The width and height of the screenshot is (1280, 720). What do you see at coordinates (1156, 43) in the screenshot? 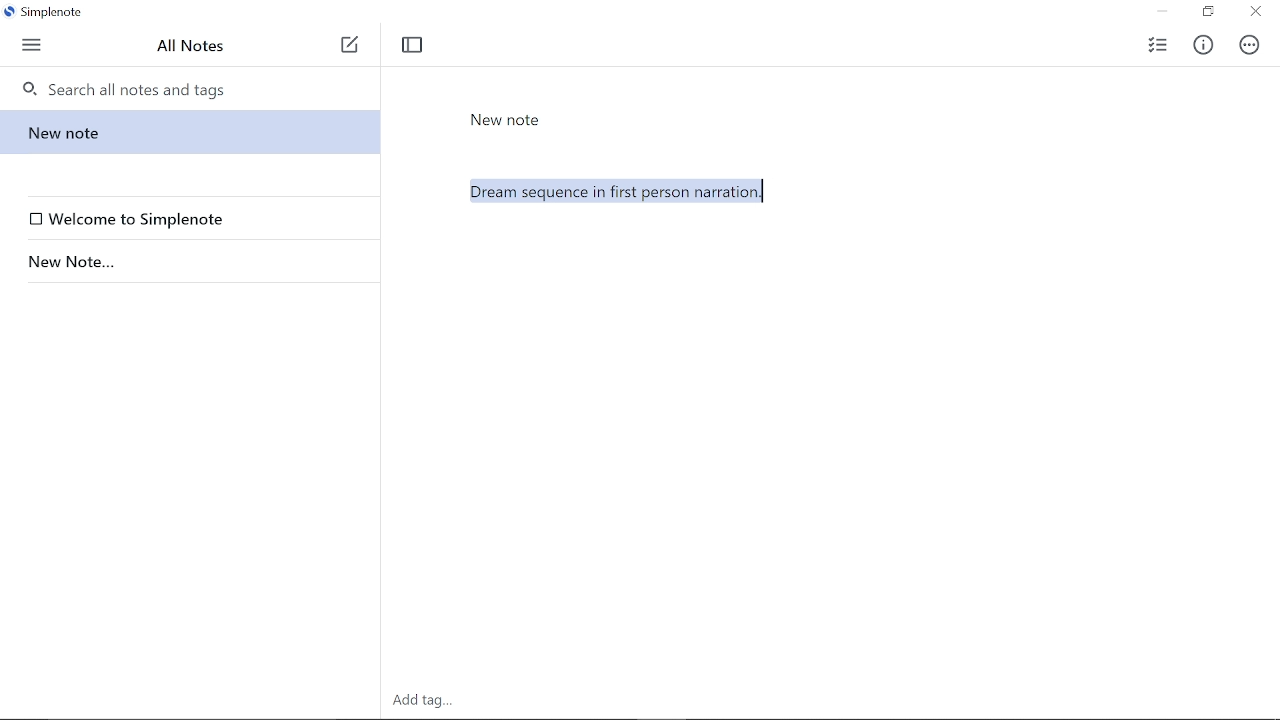
I see `Add checklist` at bounding box center [1156, 43].